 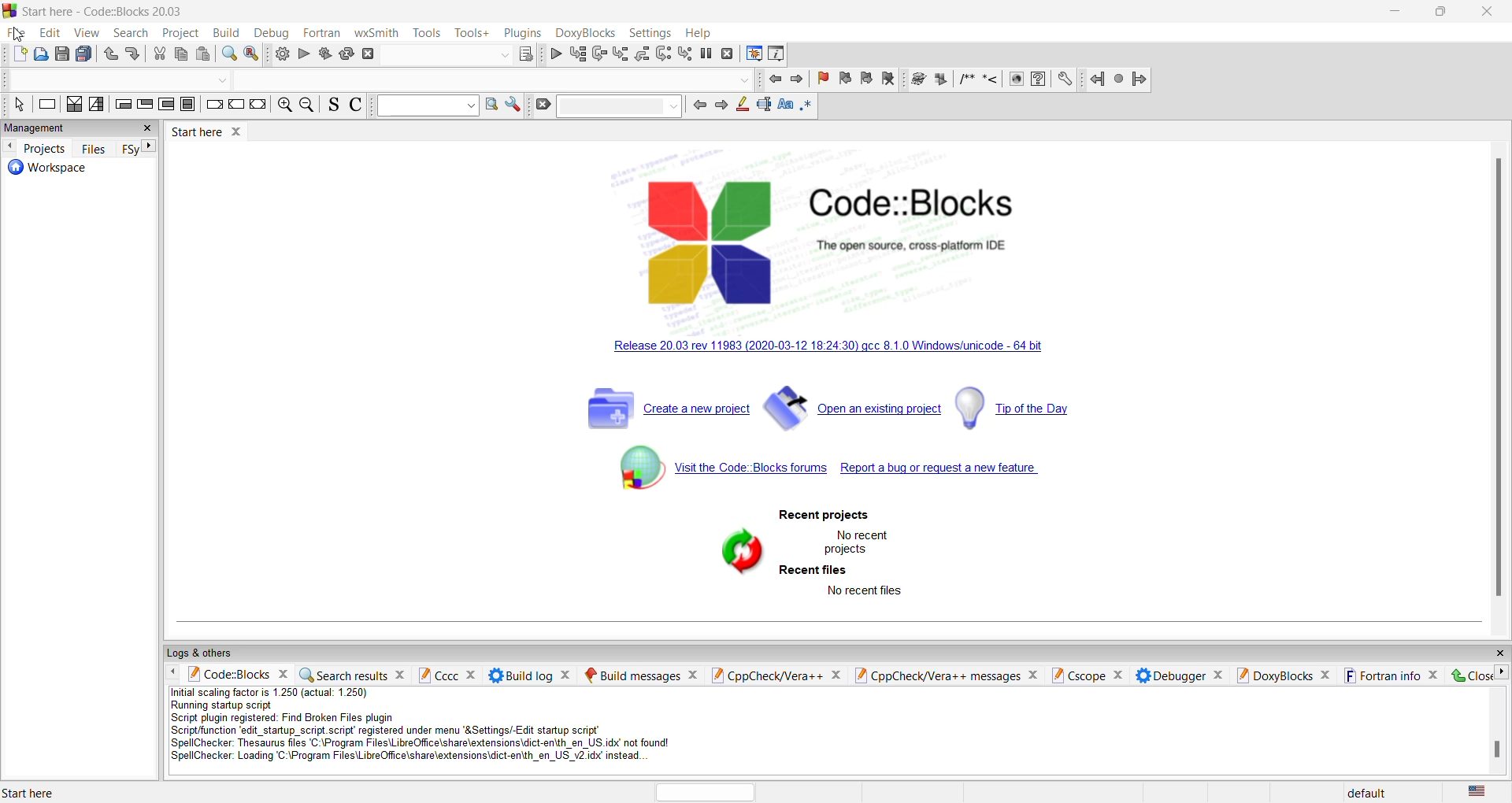 I want to click on build, so click(x=917, y=79).